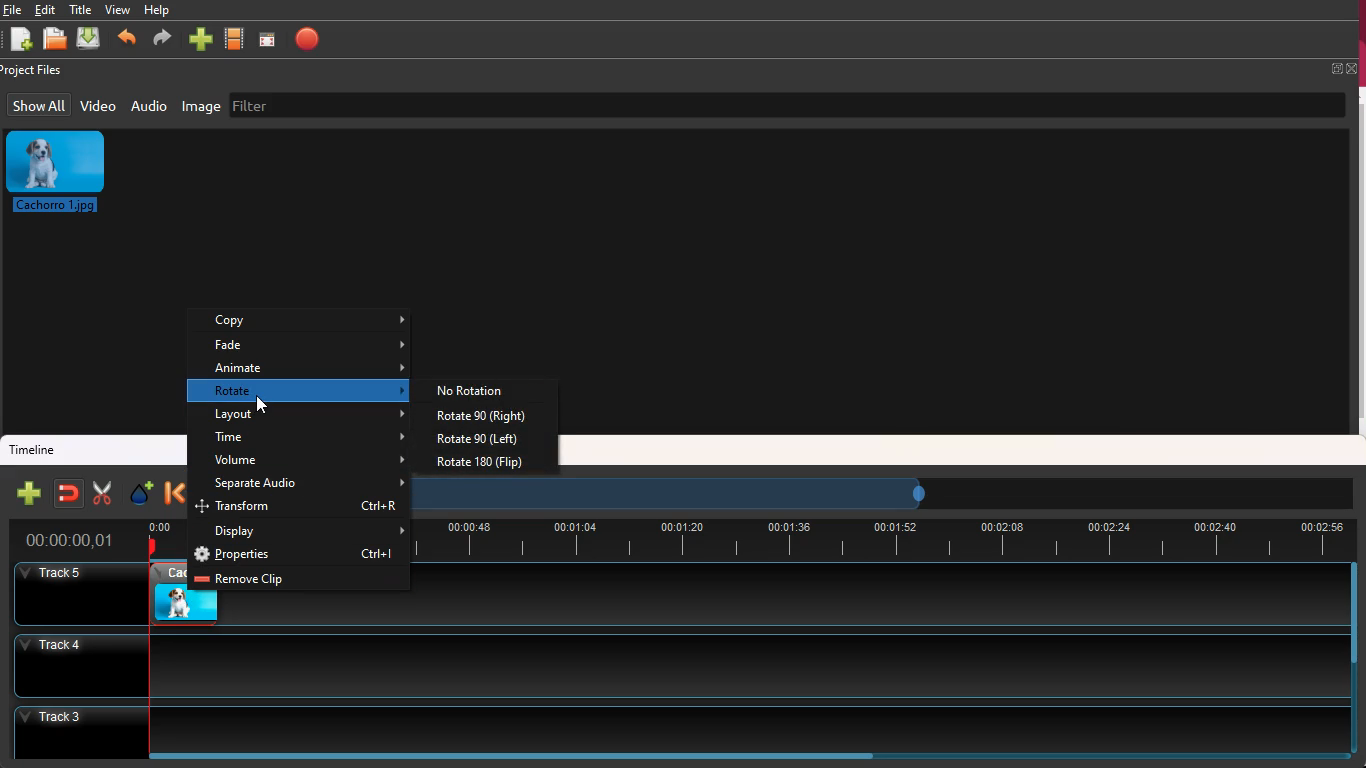  I want to click on fade, so click(307, 346).